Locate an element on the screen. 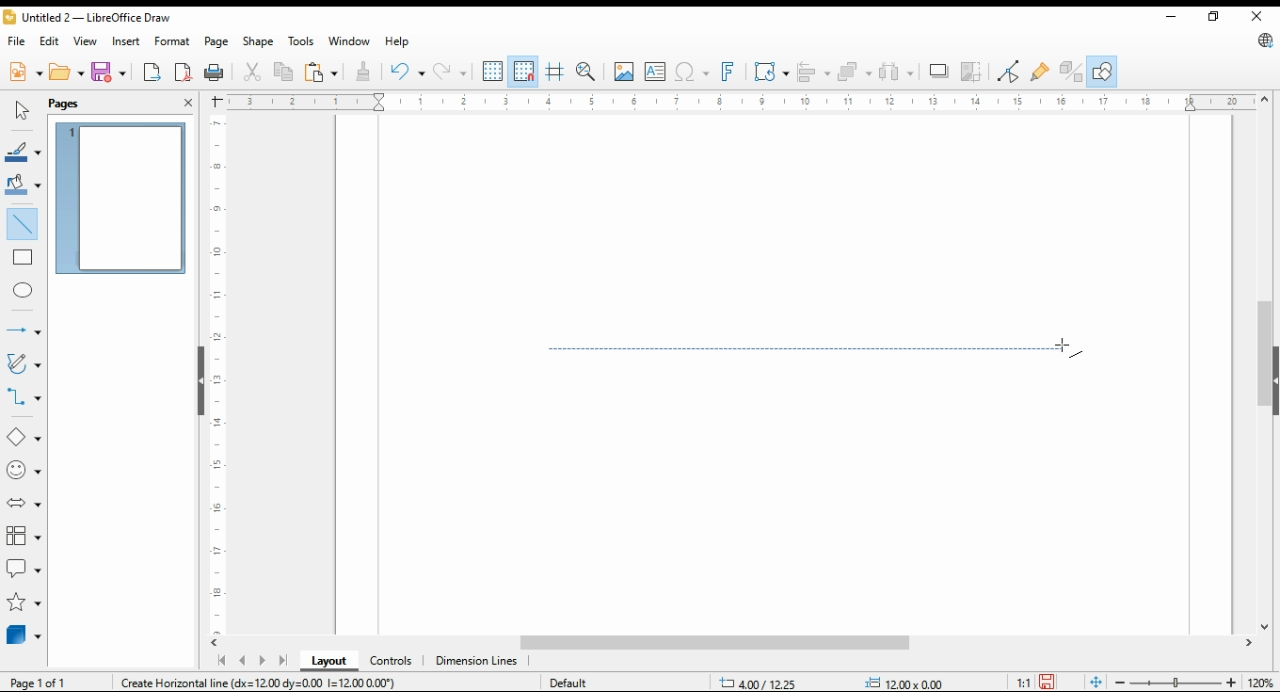 Image resolution: width=1280 pixels, height=692 pixels. vertical scale is located at coordinates (215, 374).